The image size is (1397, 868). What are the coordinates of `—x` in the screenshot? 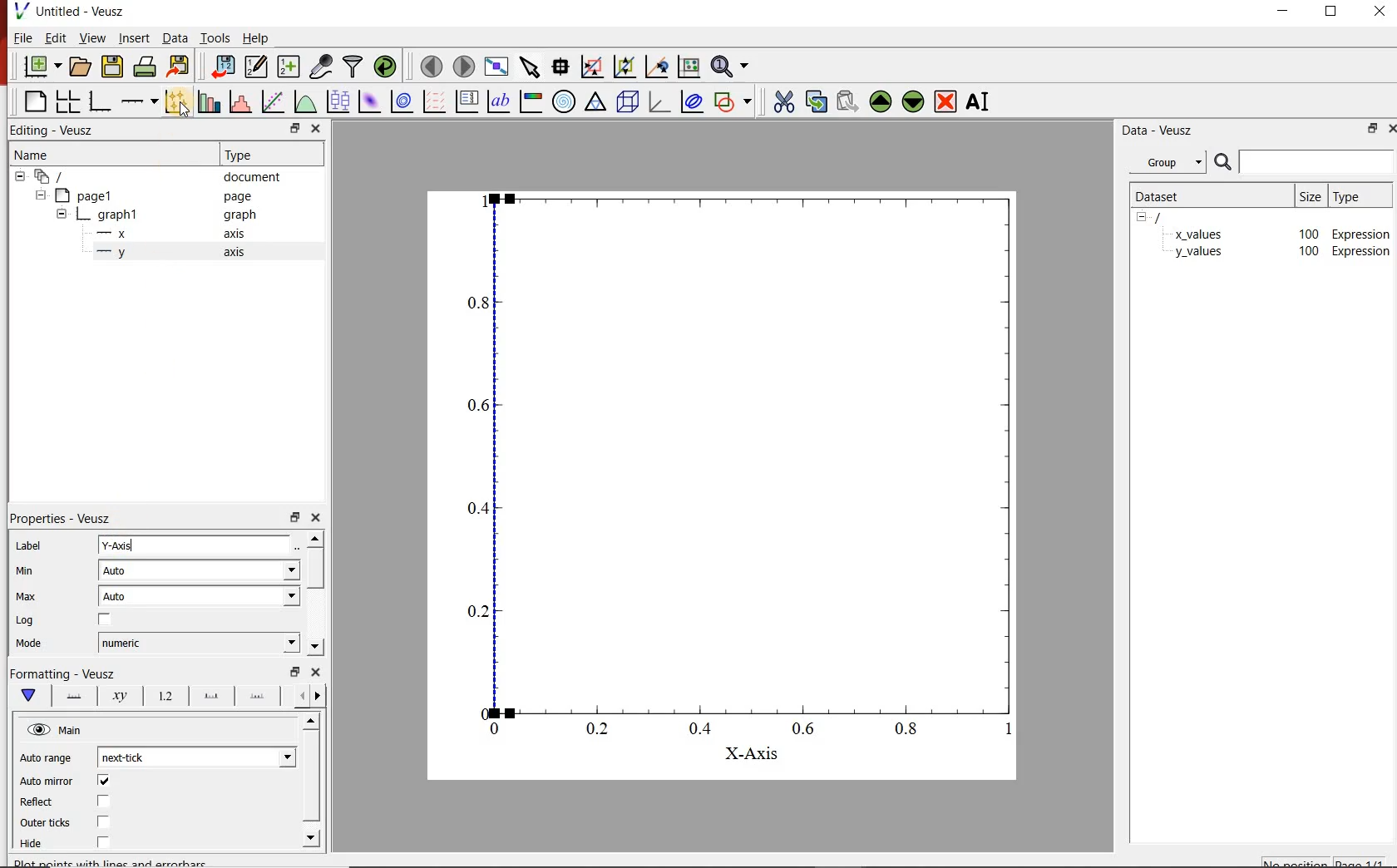 It's located at (116, 232).